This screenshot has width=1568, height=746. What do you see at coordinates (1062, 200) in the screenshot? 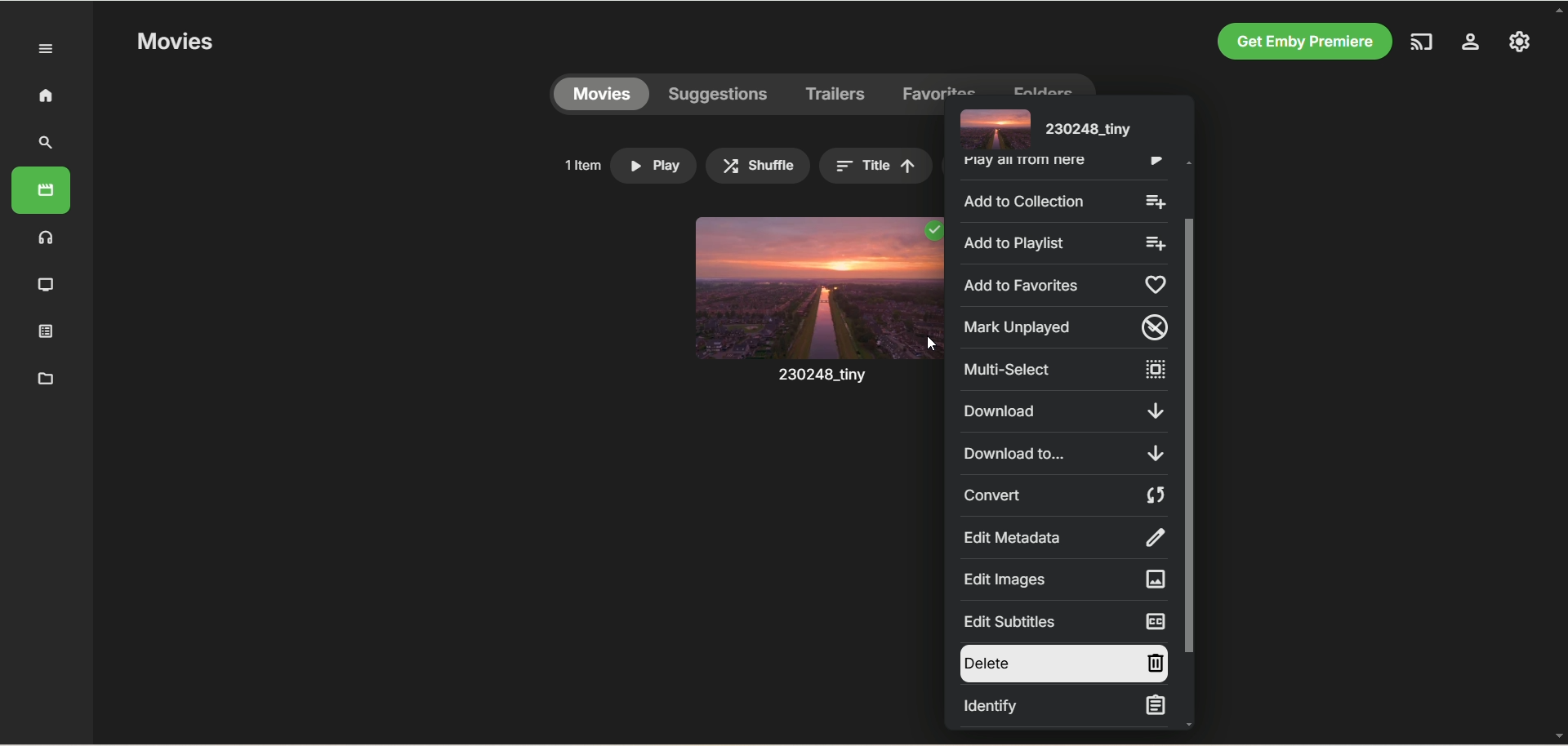
I see `add to collection` at bounding box center [1062, 200].